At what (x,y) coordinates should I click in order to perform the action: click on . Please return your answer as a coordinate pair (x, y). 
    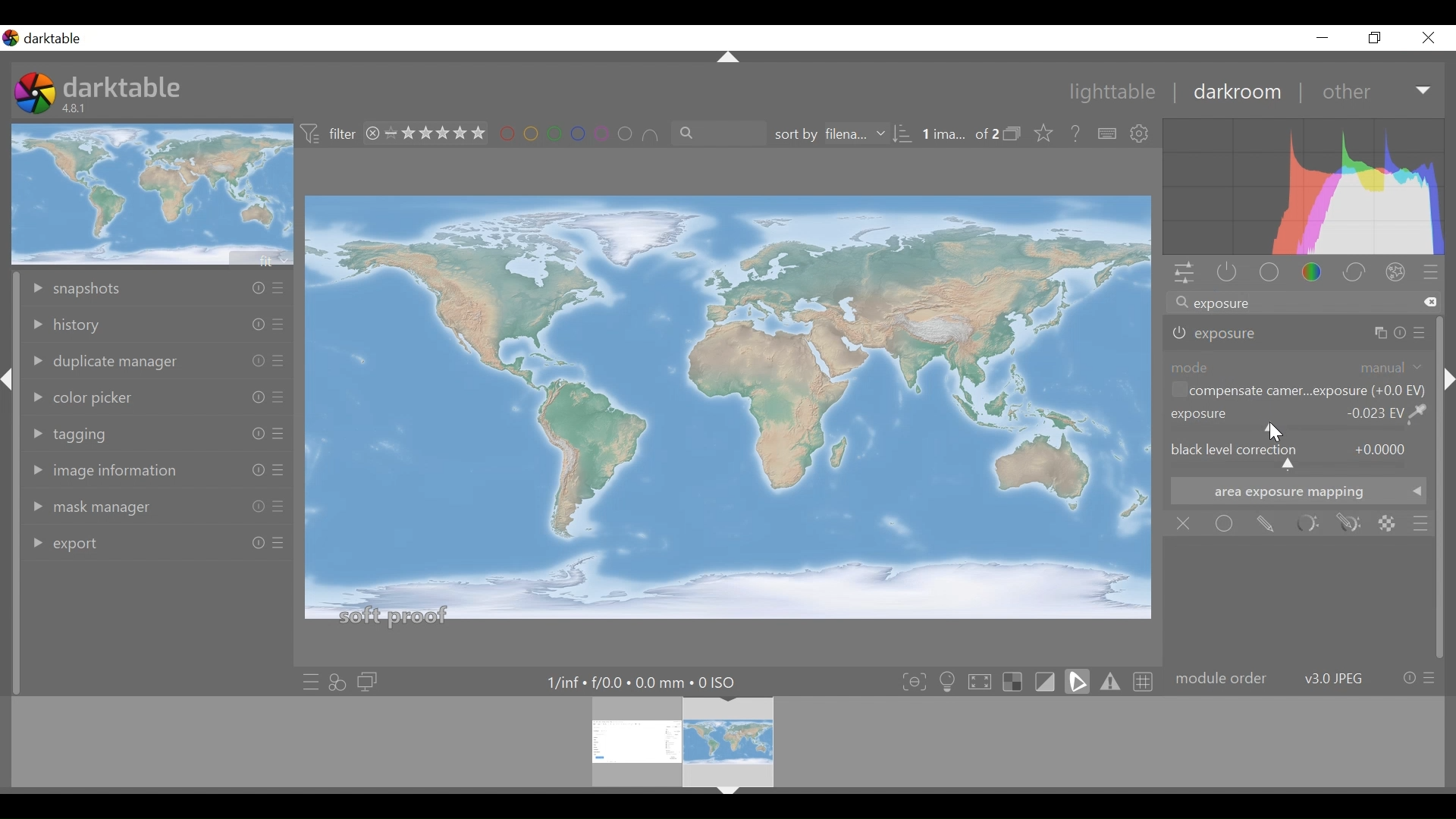
    Looking at the image, I should click on (253, 507).